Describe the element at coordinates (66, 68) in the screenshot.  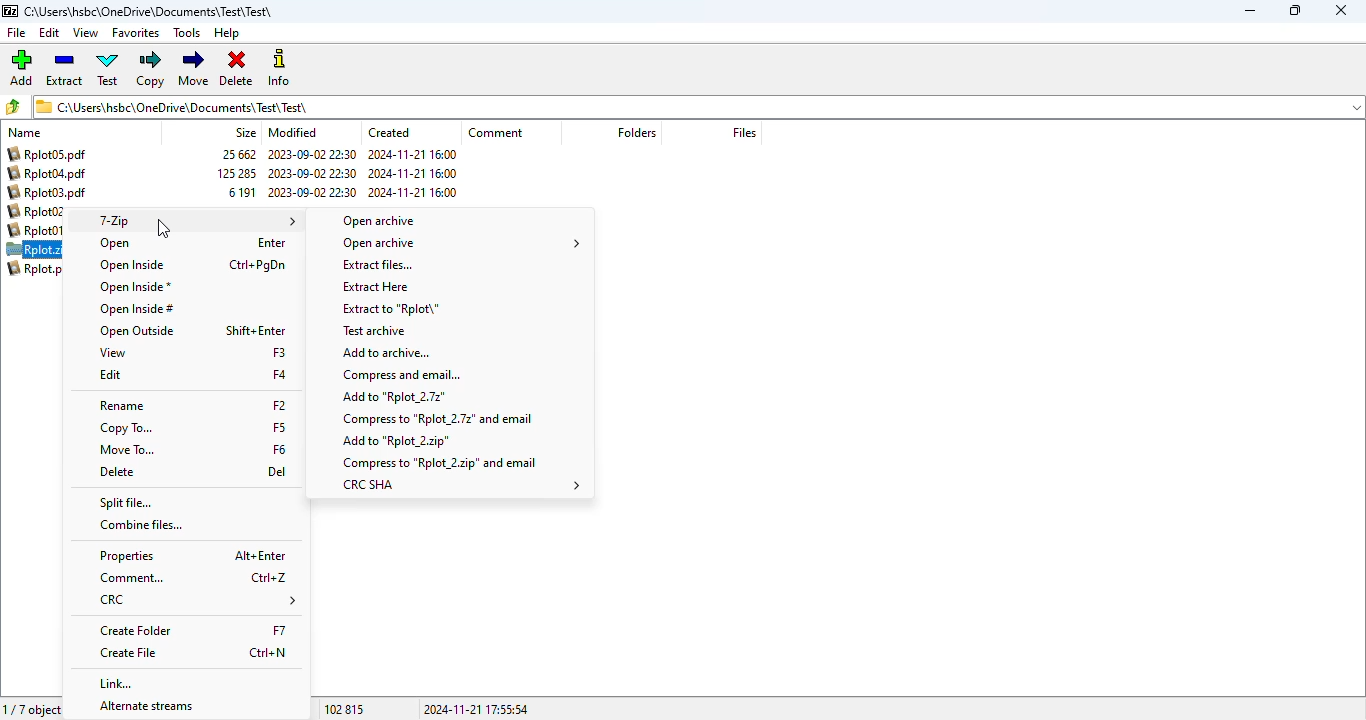
I see `extract` at that location.